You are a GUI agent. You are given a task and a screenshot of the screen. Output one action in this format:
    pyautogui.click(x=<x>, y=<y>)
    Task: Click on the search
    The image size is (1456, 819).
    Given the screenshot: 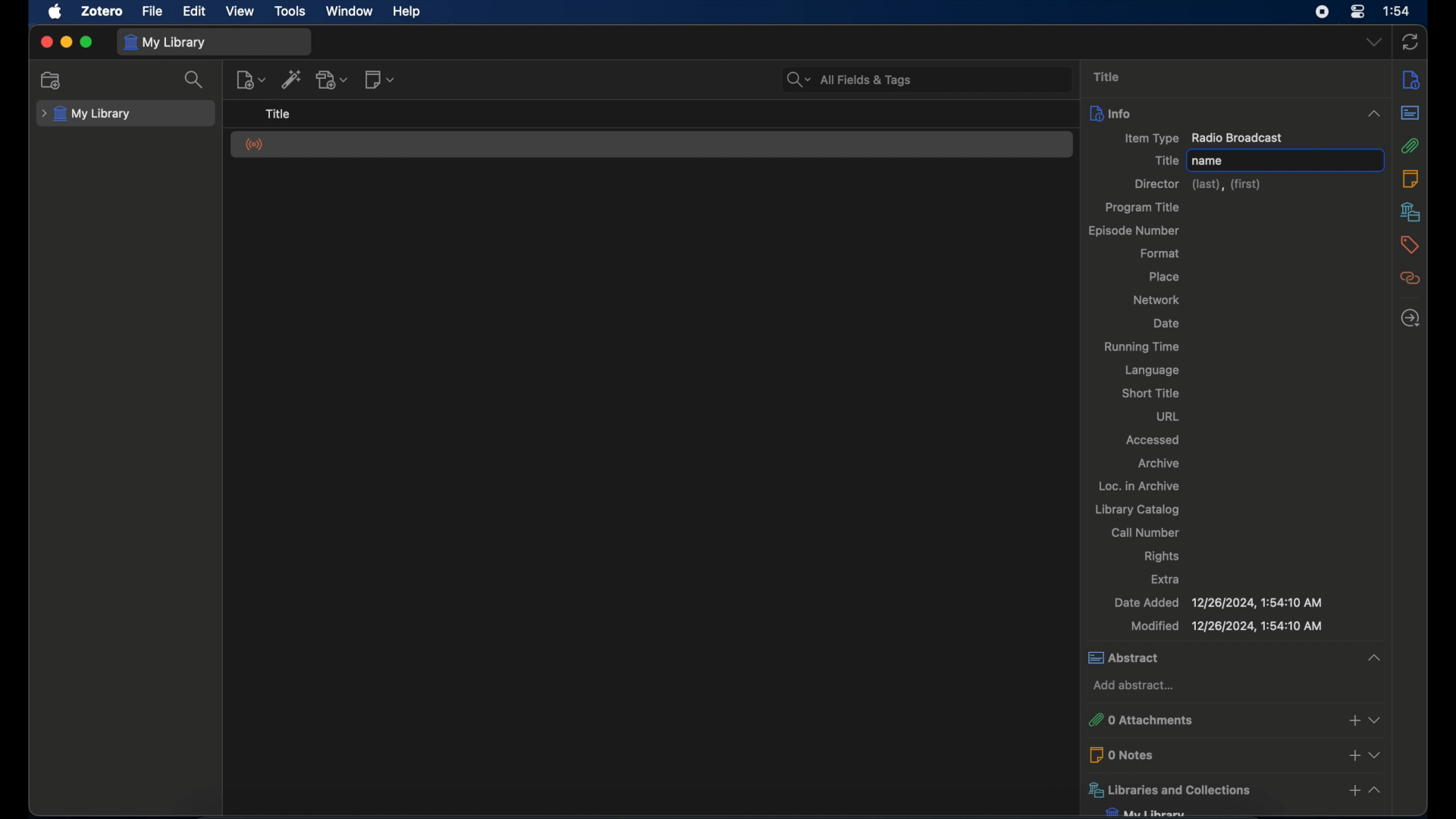 What is the action you would take?
    pyautogui.click(x=196, y=80)
    